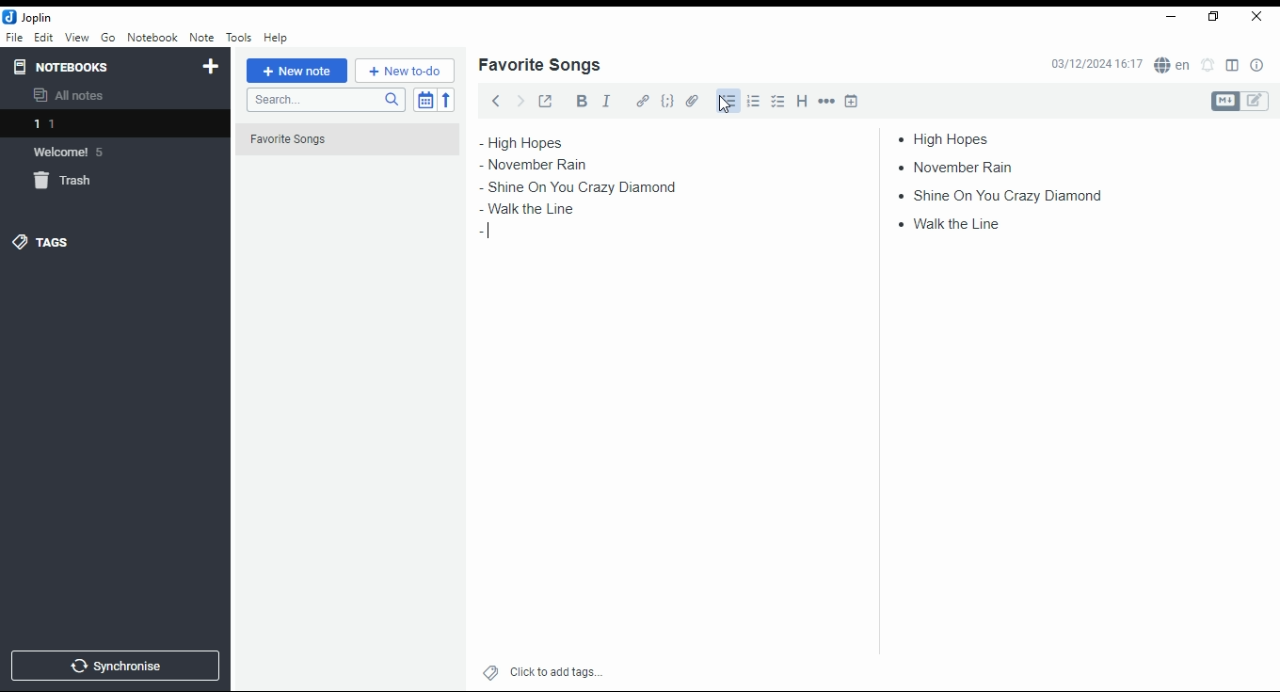  I want to click on november rain, so click(548, 165).